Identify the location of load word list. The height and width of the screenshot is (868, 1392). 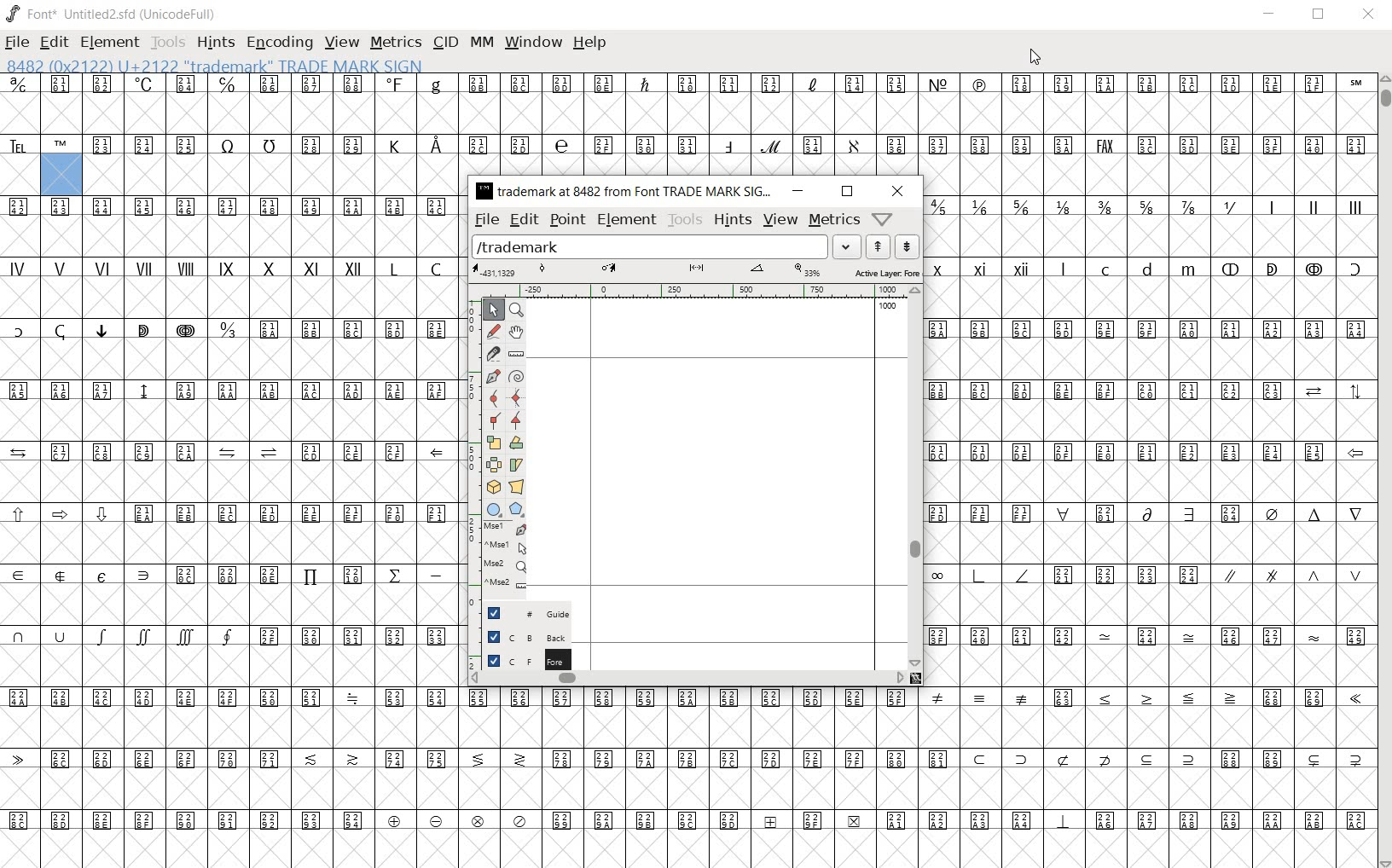
(666, 246).